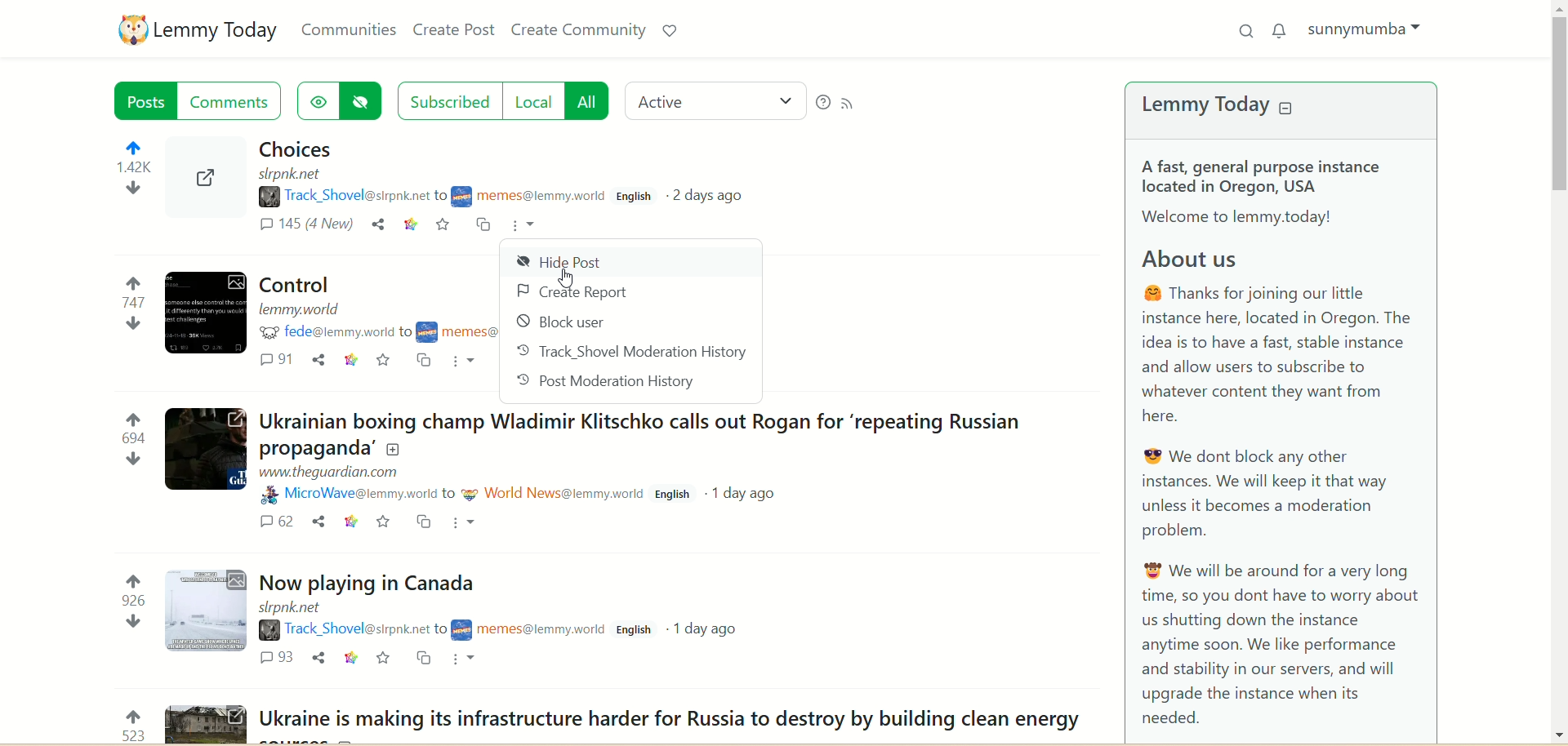  I want to click on username, so click(331, 333).